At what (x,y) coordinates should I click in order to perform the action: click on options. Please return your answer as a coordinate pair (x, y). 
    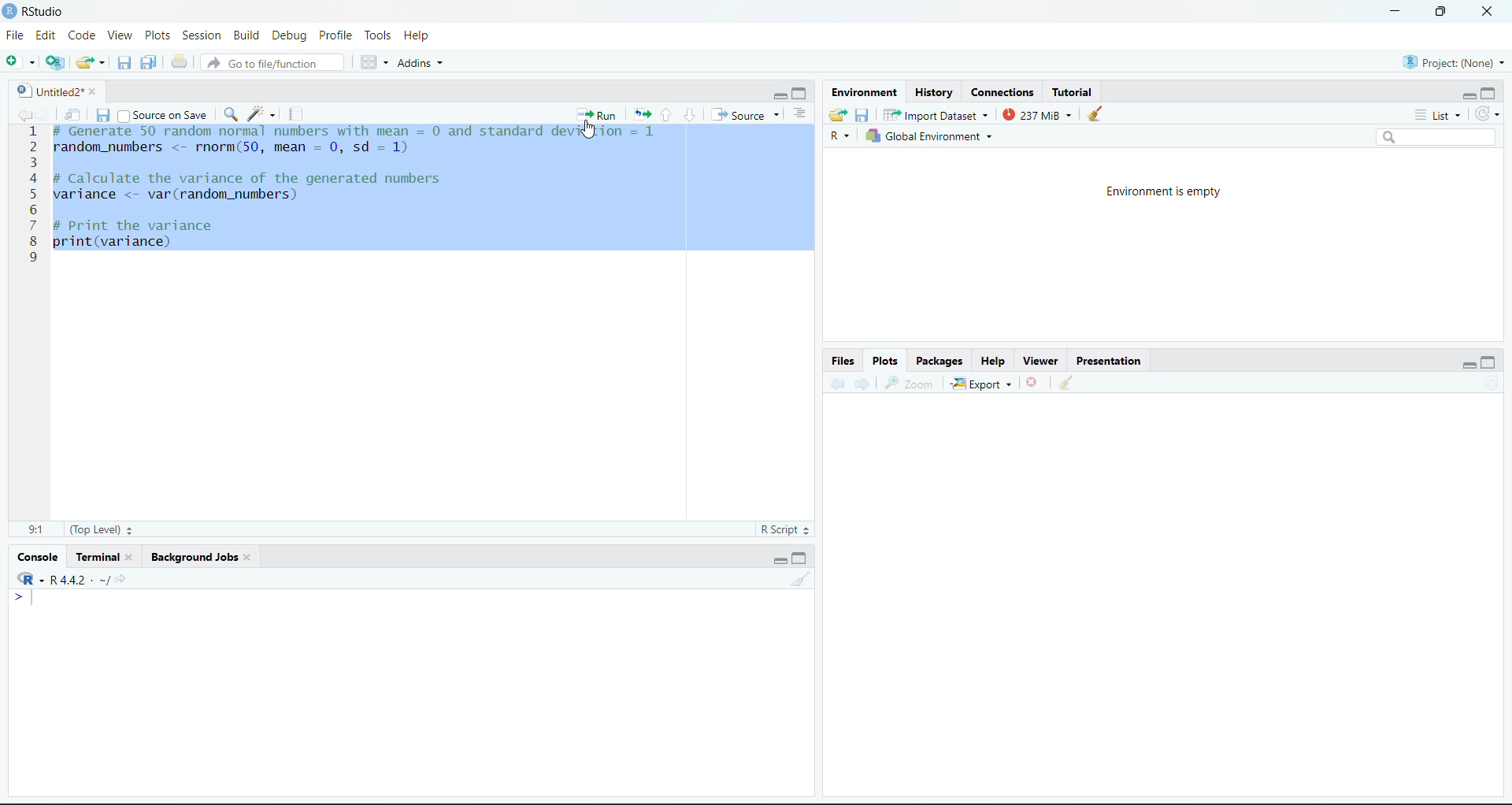
    Looking at the image, I should click on (375, 62).